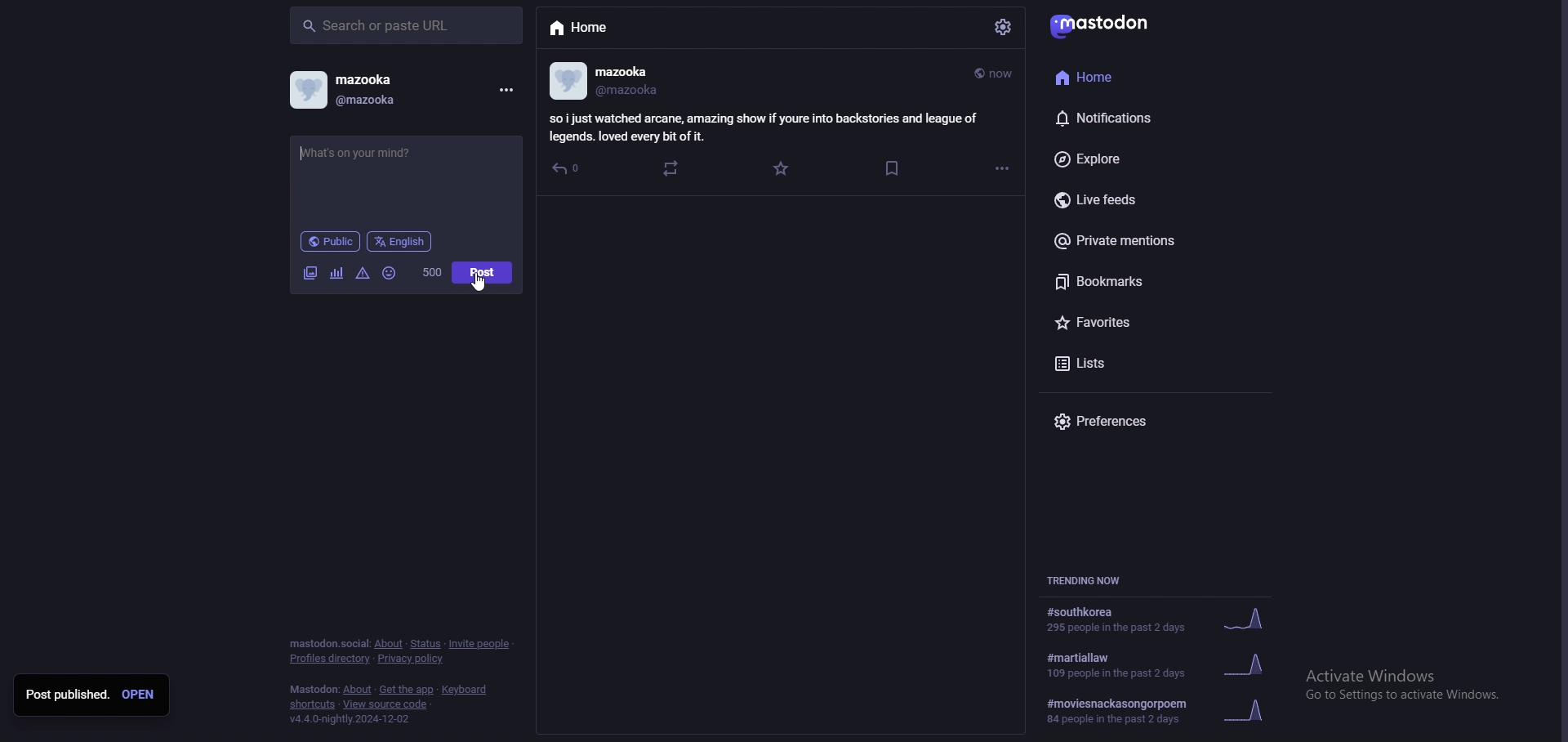  What do you see at coordinates (1004, 169) in the screenshot?
I see `options` at bounding box center [1004, 169].